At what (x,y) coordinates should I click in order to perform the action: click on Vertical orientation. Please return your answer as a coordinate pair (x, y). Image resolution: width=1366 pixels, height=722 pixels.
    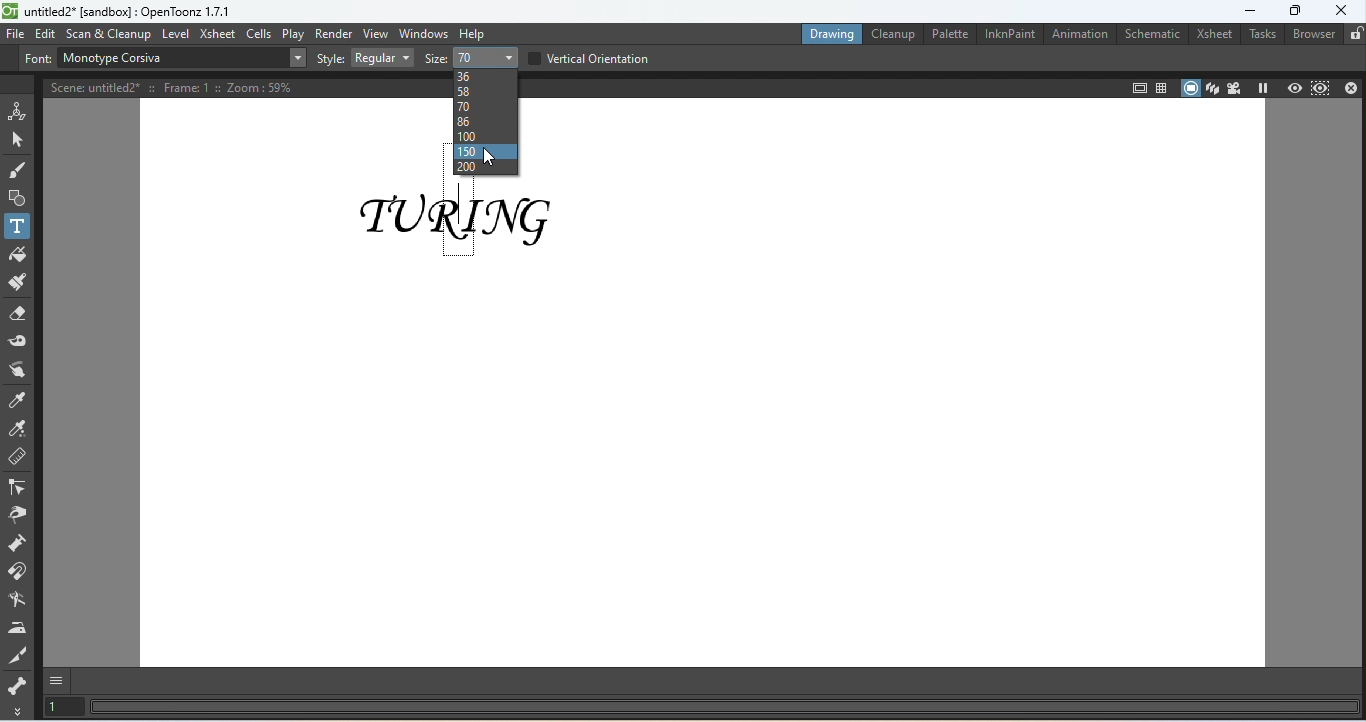
    Looking at the image, I should click on (589, 56).